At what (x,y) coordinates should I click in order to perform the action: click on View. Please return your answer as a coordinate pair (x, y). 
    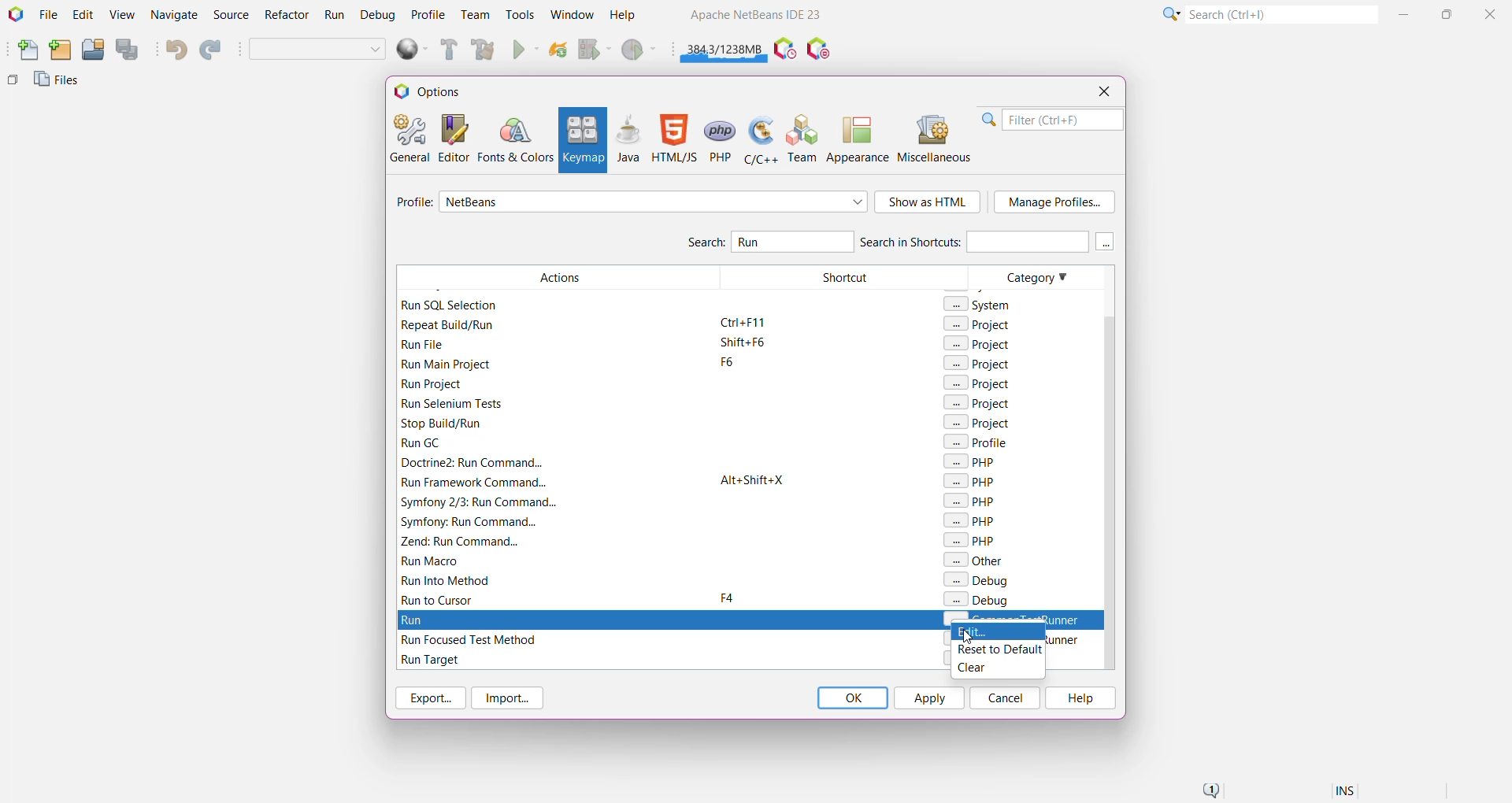
    Looking at the image, I should click on (121, 16).